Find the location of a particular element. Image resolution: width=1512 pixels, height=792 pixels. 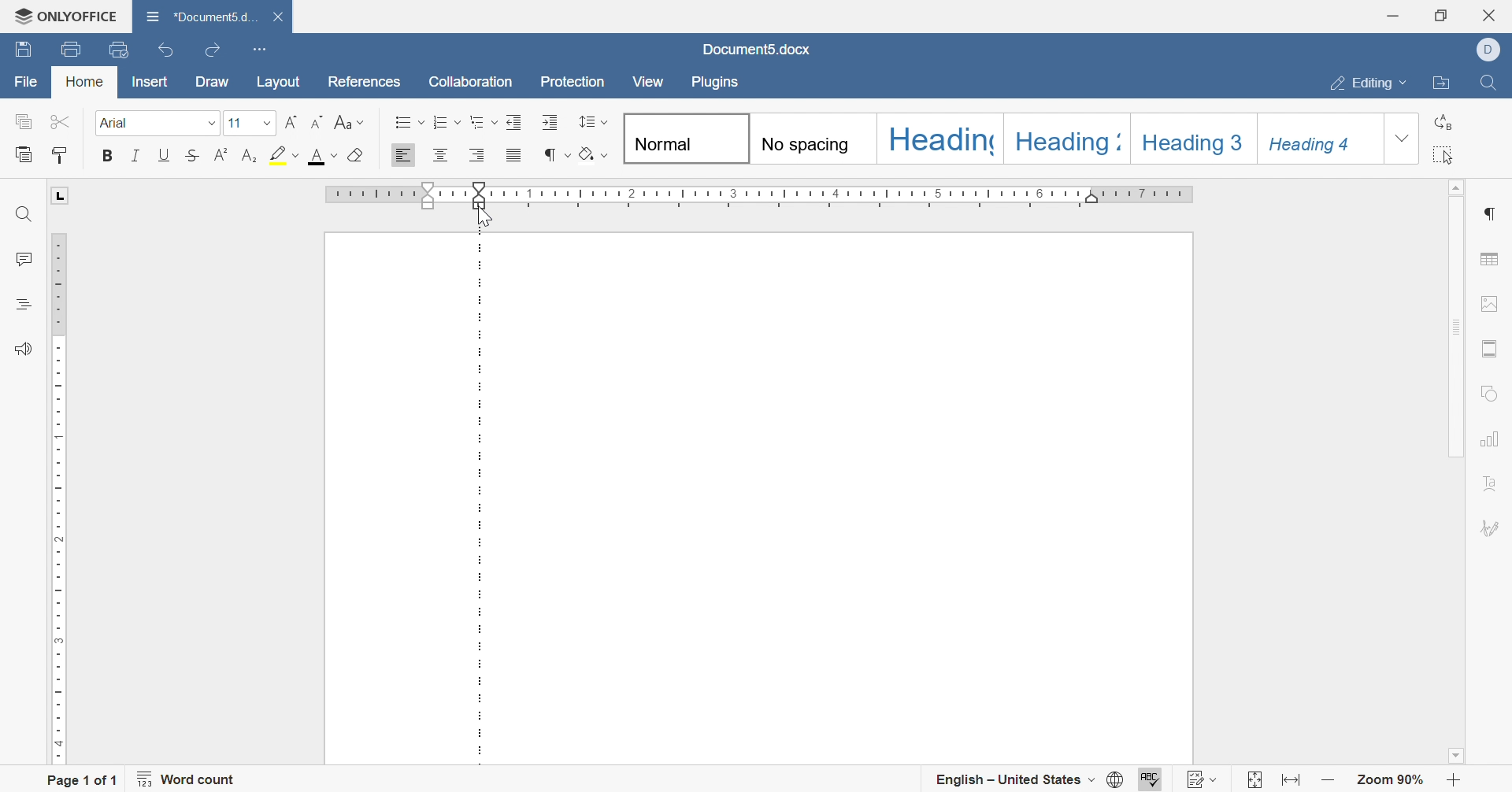

change case is located at coordinates (349, 121).